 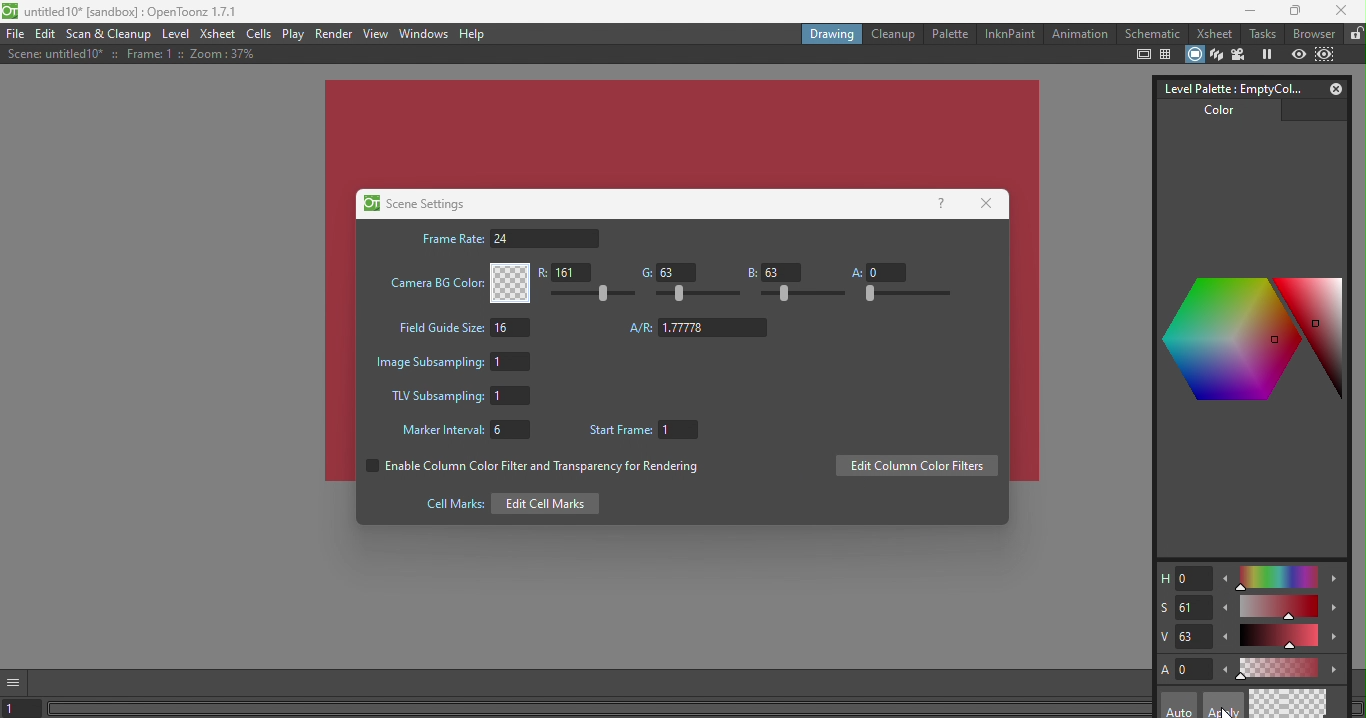 What do you see at coordinates (665, 273) in the screenshot?
I see `G` at bounding box center [665, 273].